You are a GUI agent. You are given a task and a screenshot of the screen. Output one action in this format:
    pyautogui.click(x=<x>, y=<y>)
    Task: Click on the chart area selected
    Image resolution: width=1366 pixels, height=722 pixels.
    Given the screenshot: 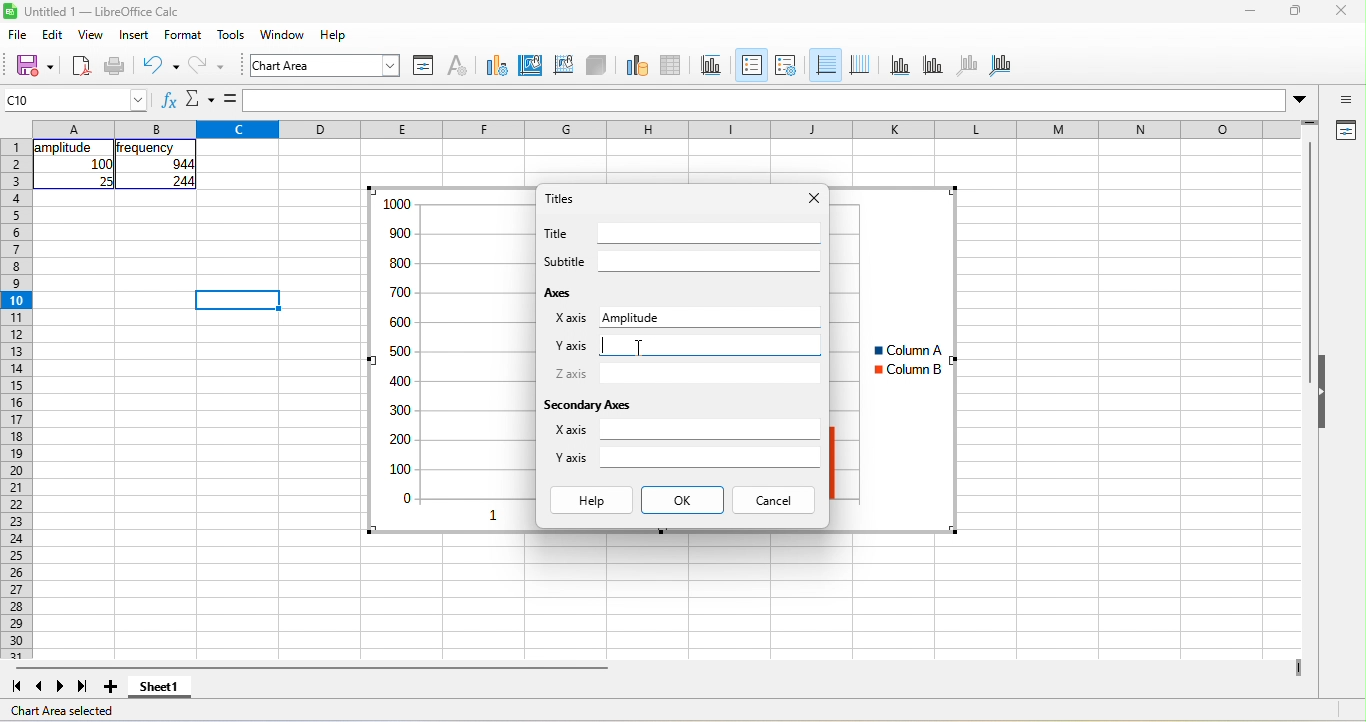 What is the action you would take?
    pyautogui.click(x=62, y=711)
    